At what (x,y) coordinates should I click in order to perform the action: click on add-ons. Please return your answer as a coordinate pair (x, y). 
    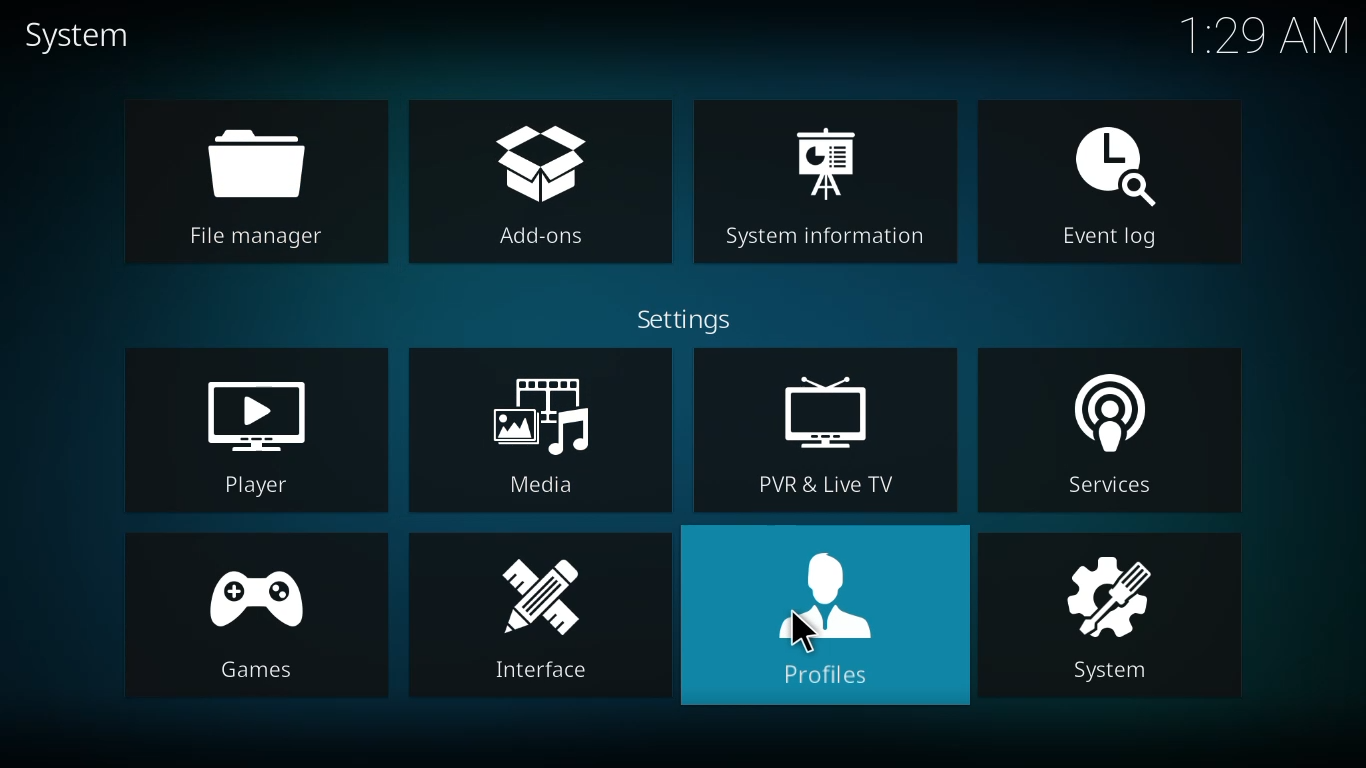
    Looking at the image, I should click on (544, 188).